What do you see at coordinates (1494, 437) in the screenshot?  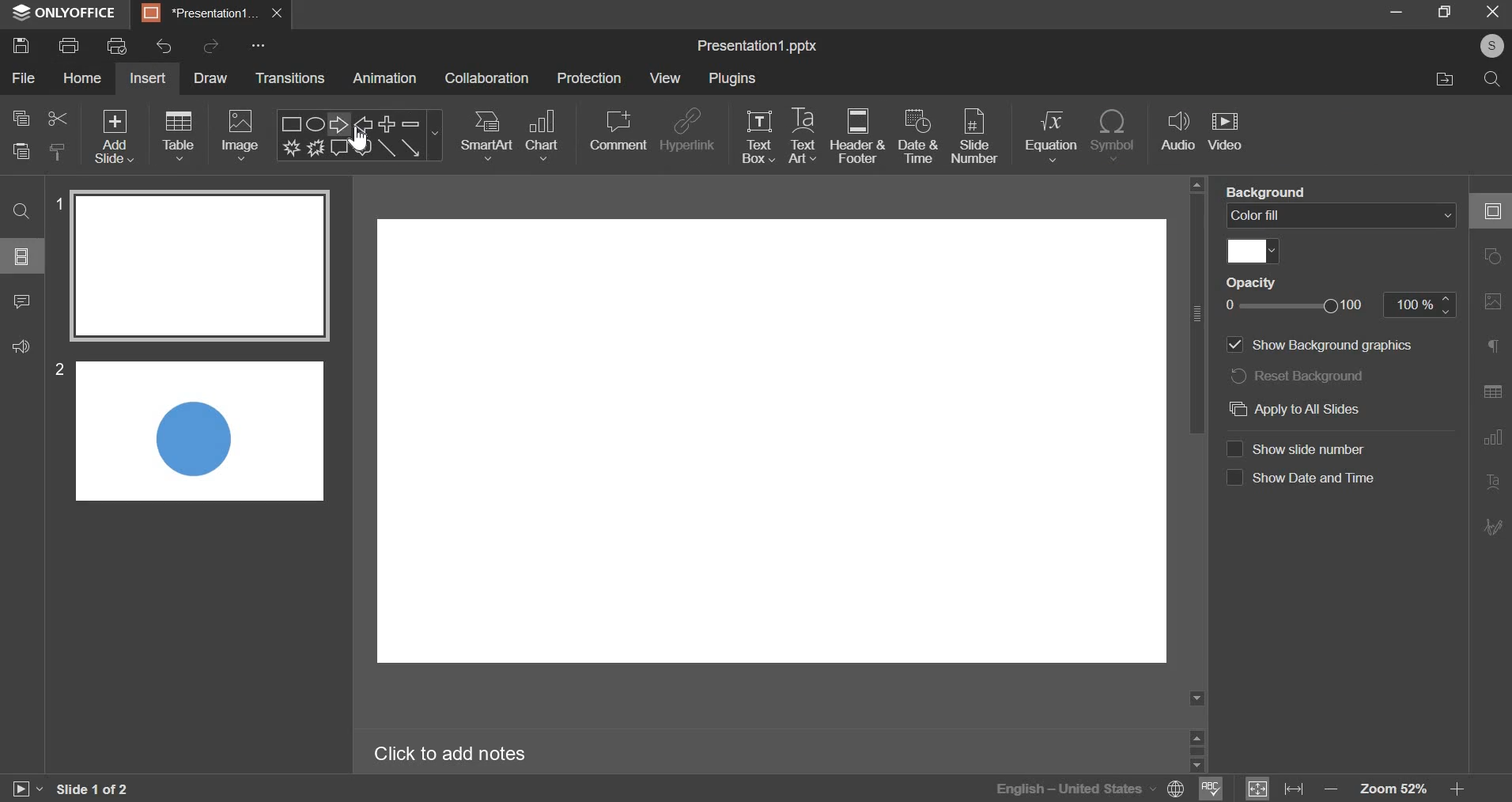 I see `Chart settings` at bounding box center [1494, 437].